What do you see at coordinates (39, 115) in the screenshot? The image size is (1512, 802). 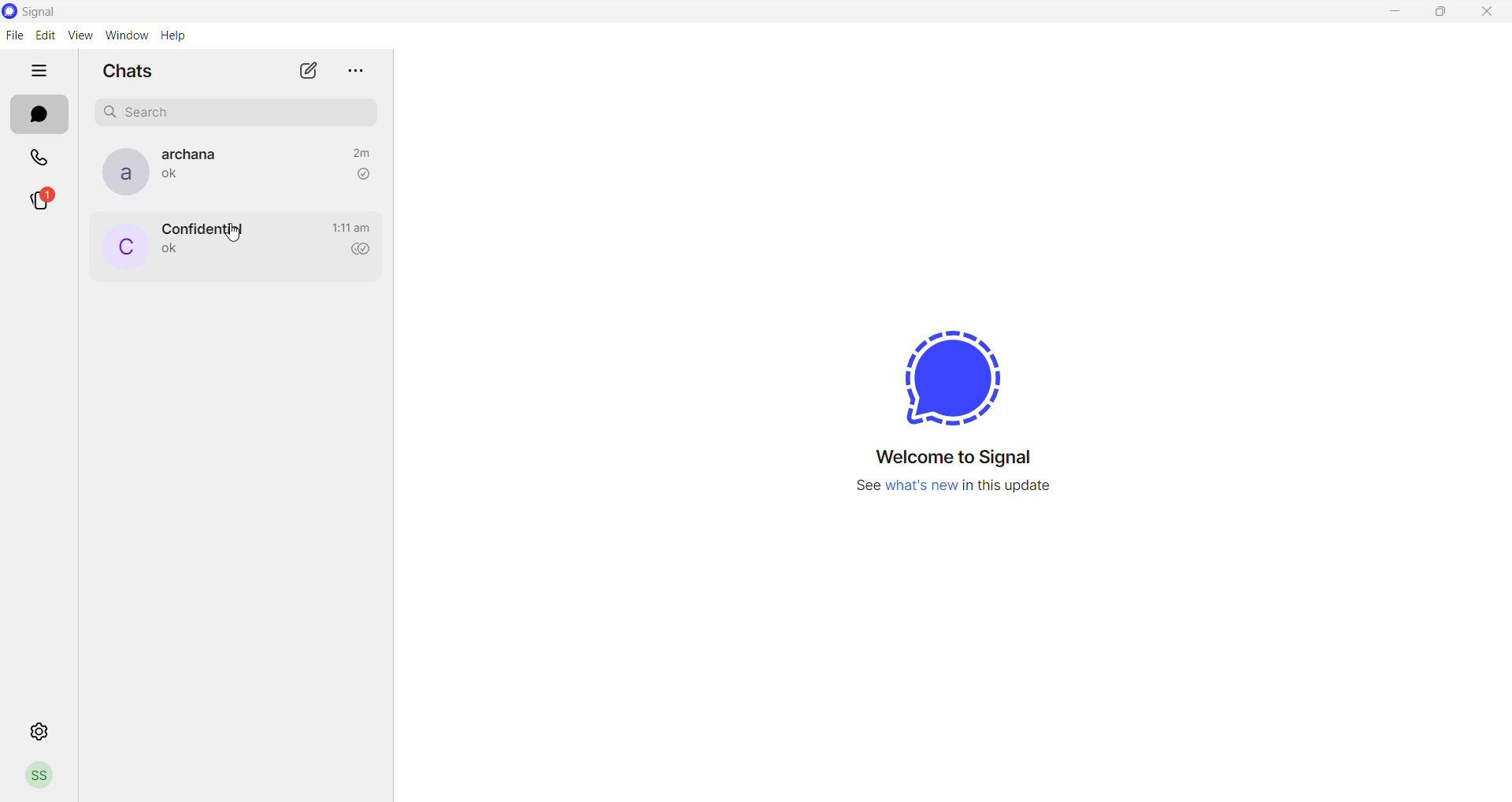 I see `chats` at bounding box center [39, 115].